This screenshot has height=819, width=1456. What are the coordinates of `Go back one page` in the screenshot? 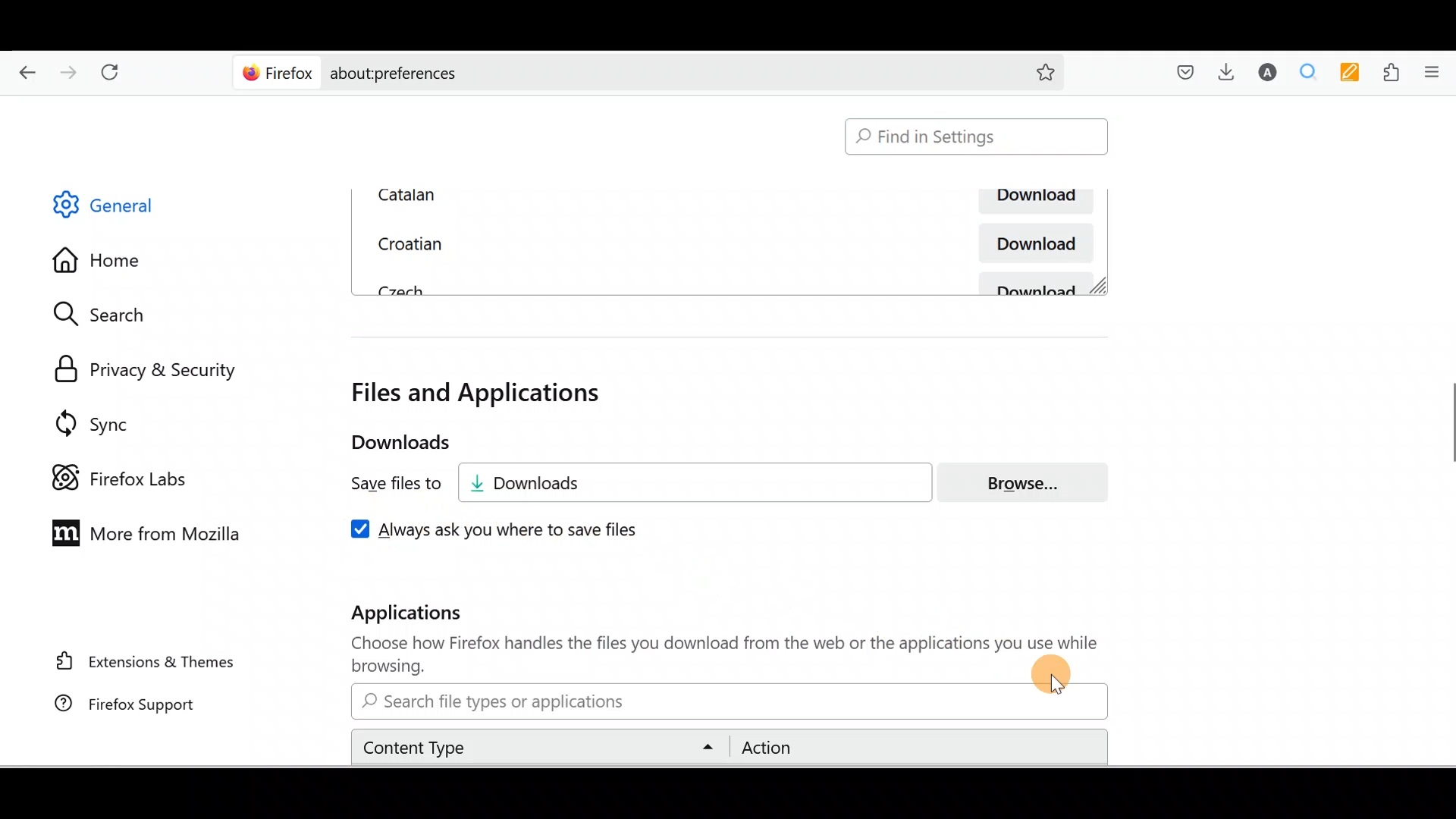 It's located at (23, 75).